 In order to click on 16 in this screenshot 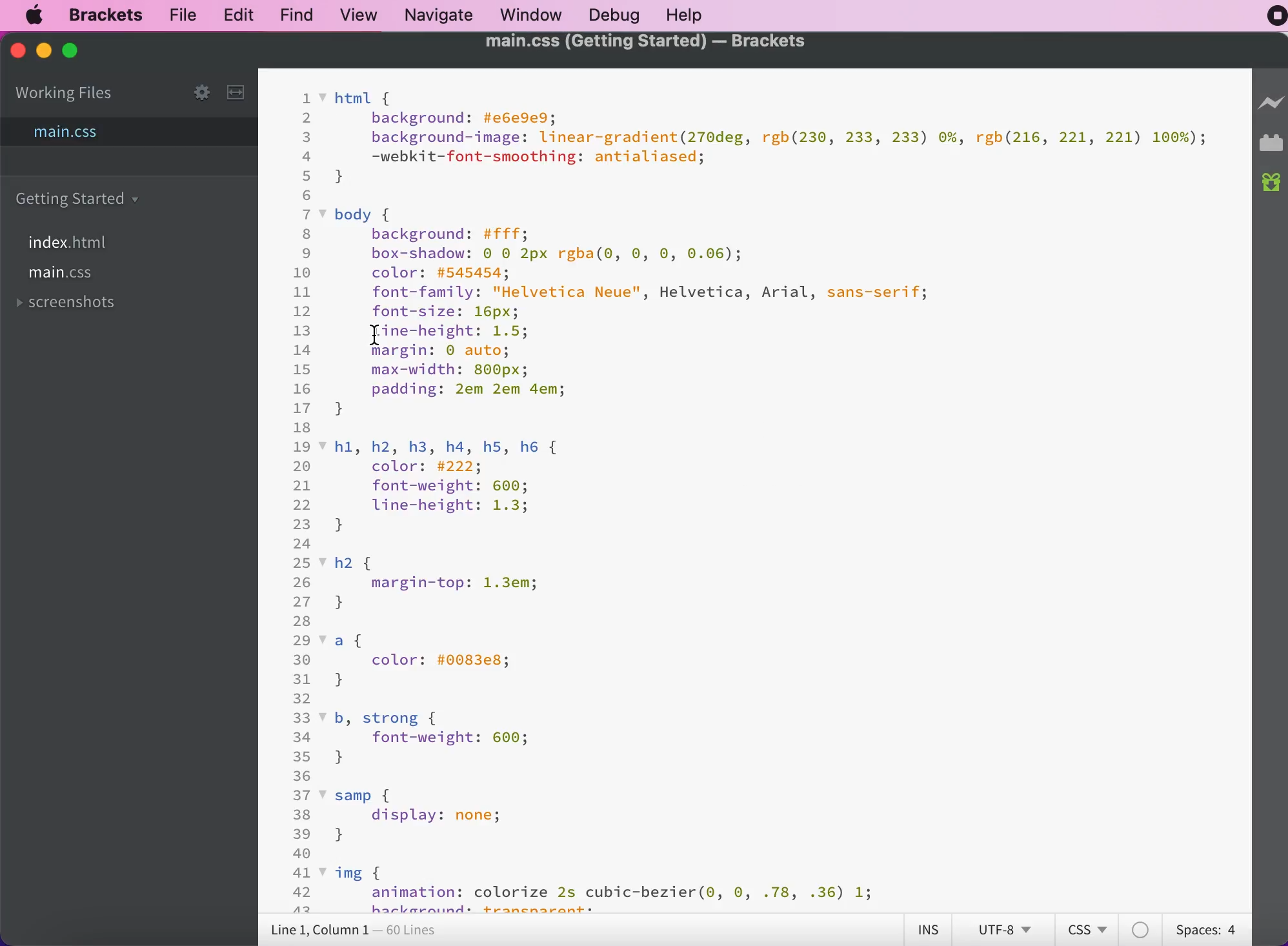, I will do `click(302, 389)`.